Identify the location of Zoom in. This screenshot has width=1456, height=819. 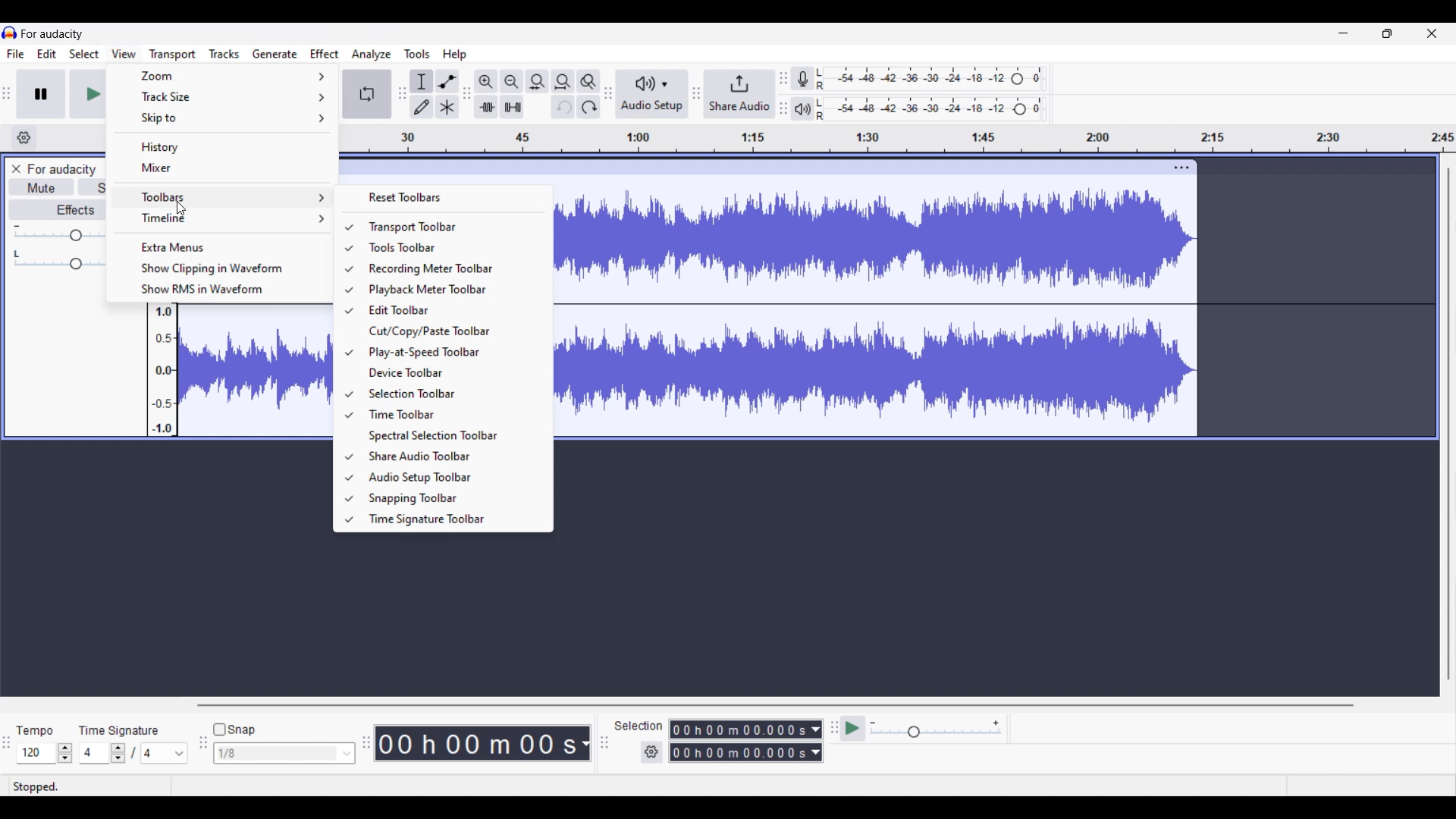
(486, 82).